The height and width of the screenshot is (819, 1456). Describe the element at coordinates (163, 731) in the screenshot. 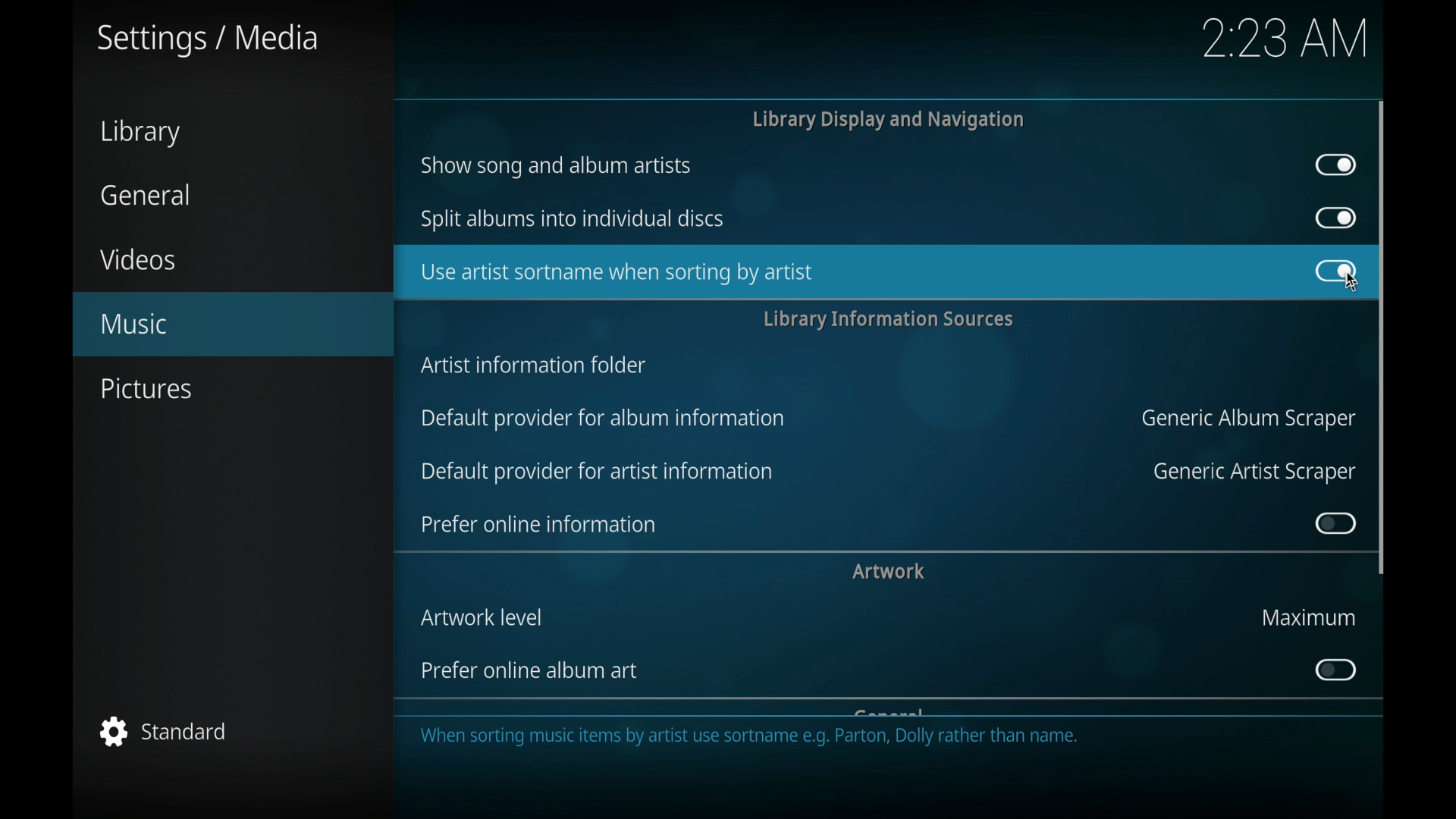

I see `standard` at that location.